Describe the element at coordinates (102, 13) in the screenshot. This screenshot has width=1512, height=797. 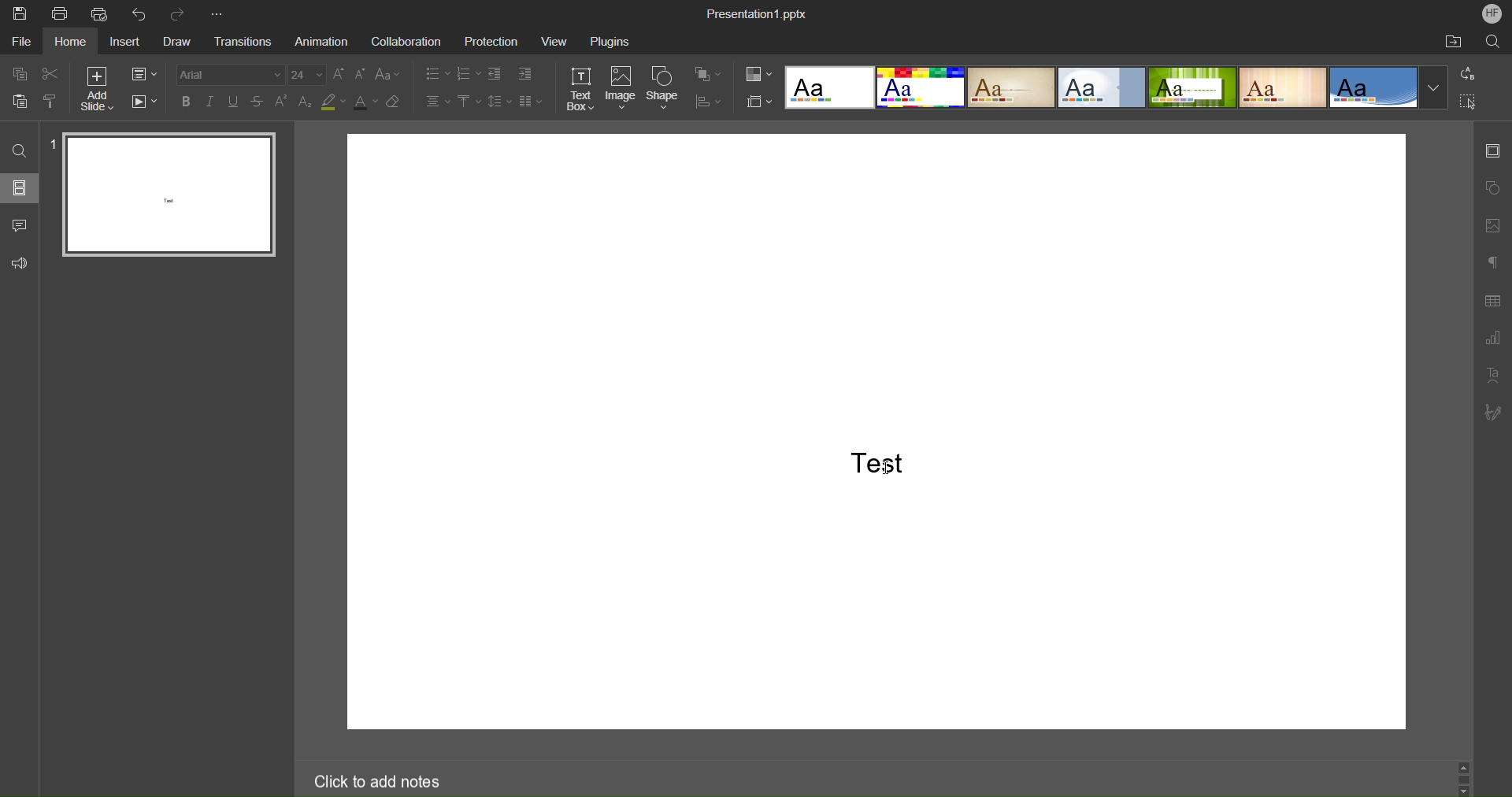
I see `Quick Print` at that location.